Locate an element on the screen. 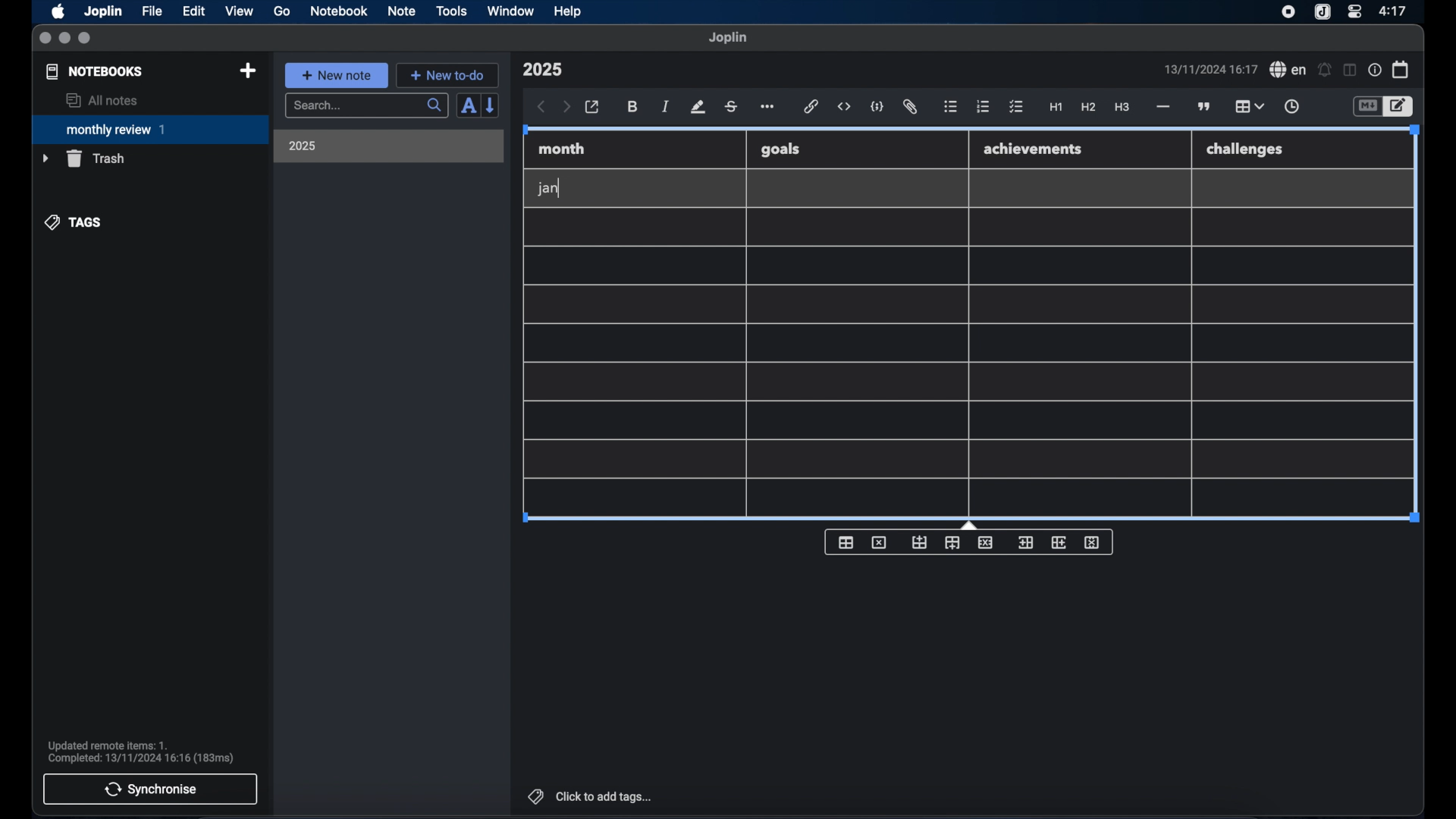  notebooks is located at coordinates (95, 71).